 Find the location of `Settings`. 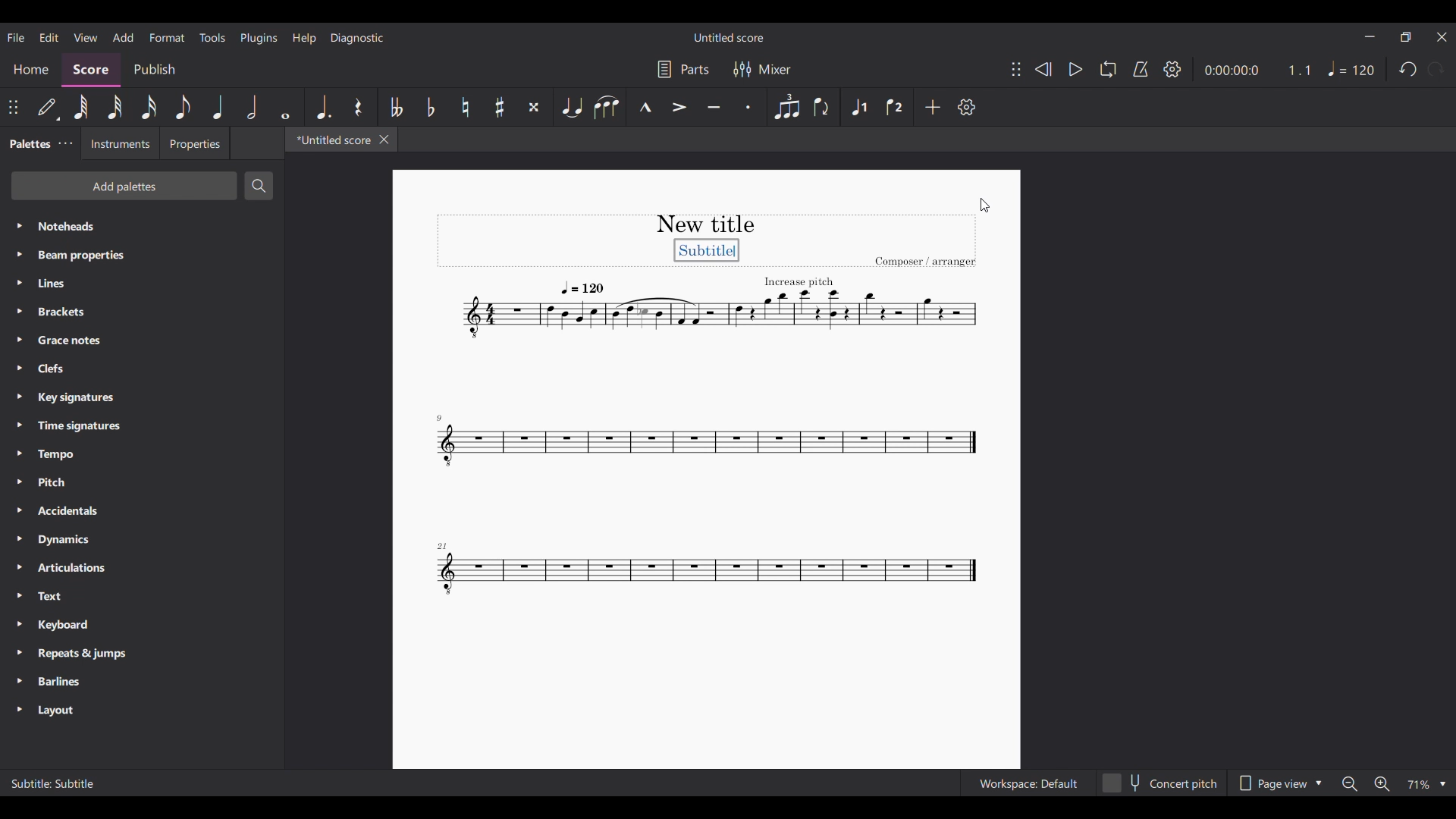

Settings is located at coordinates (1172, 69).